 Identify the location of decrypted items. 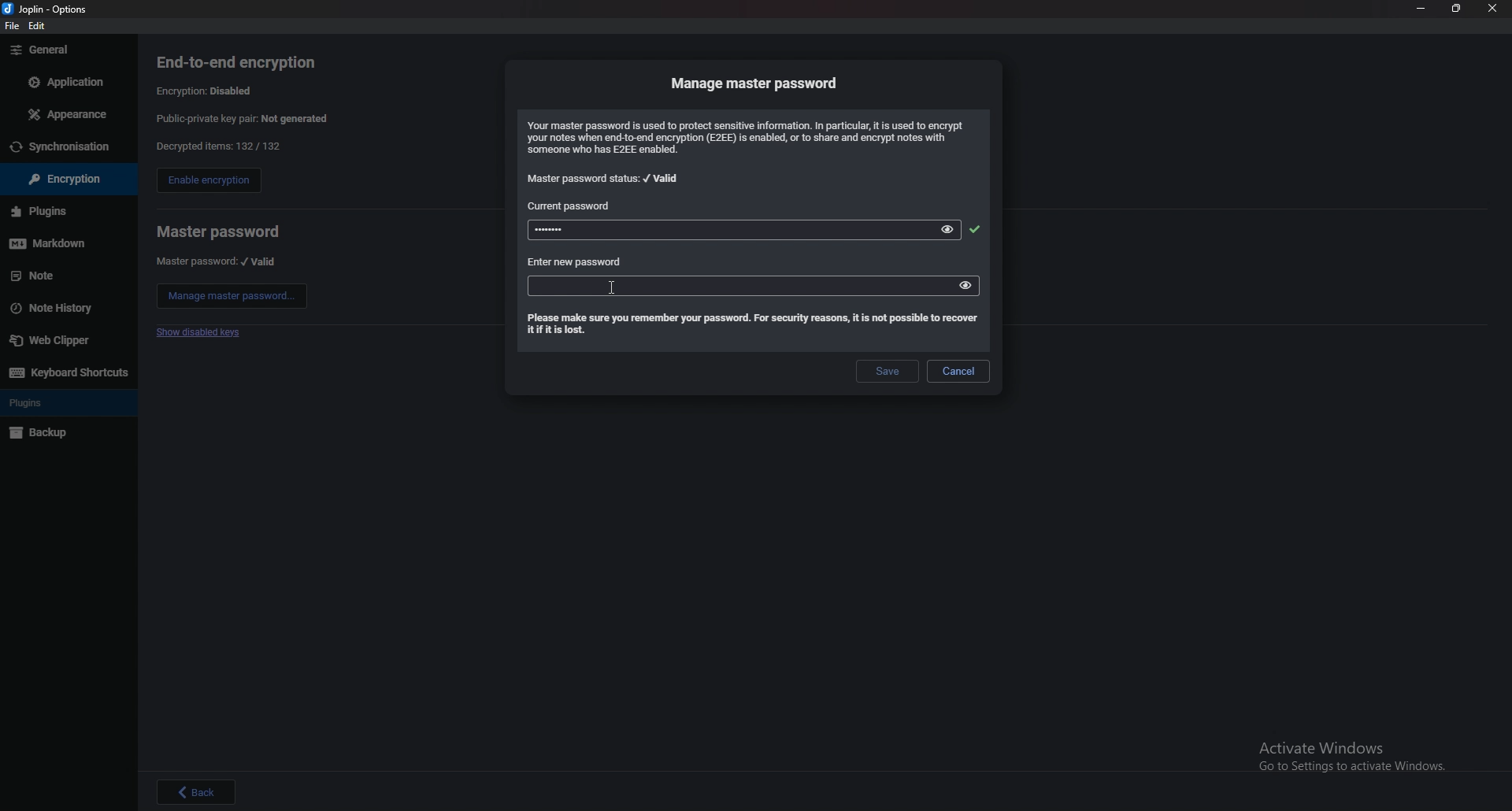
(217, 146).